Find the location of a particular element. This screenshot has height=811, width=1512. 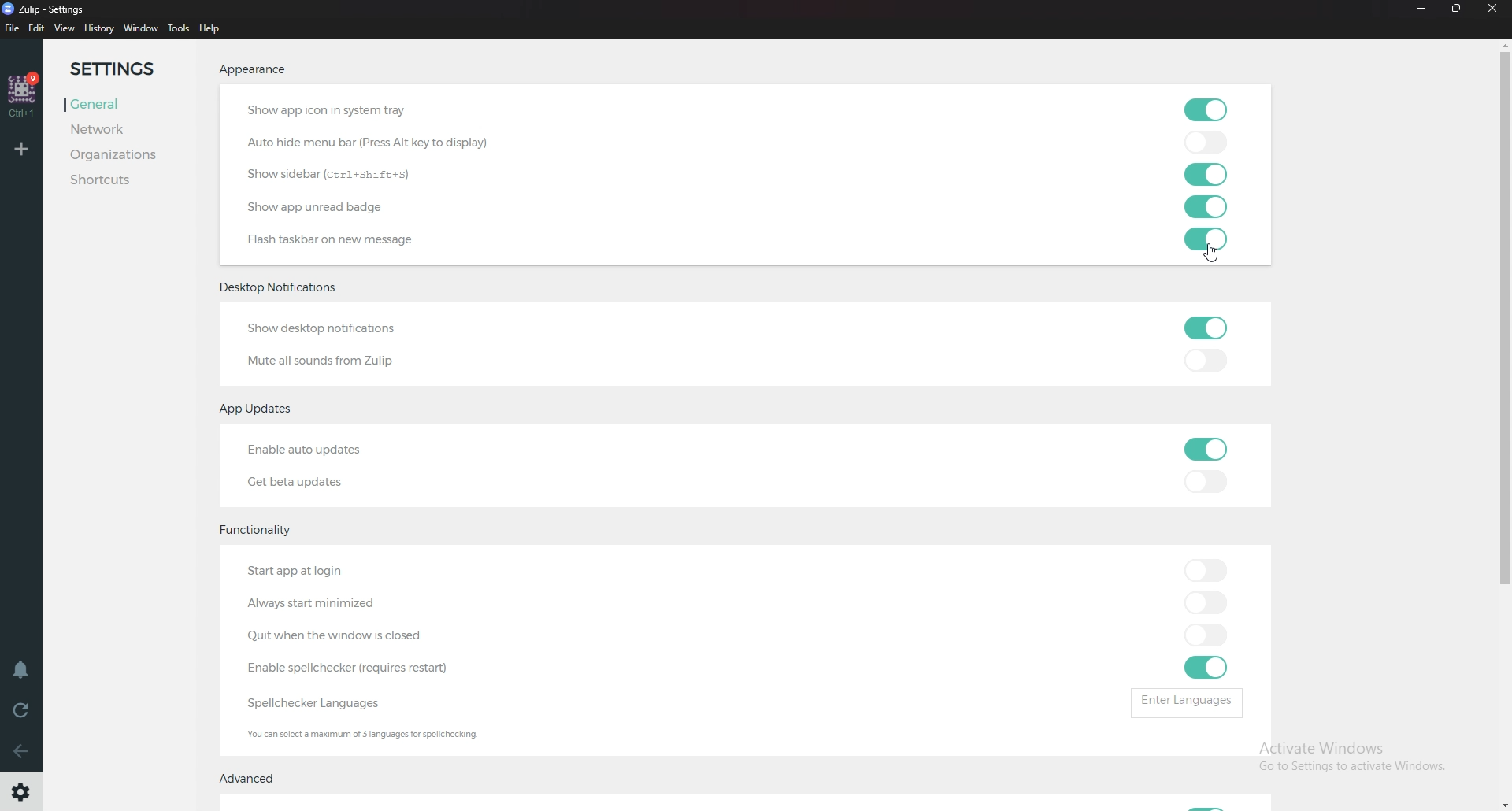

cursor is located at coordinates (1214, 256).